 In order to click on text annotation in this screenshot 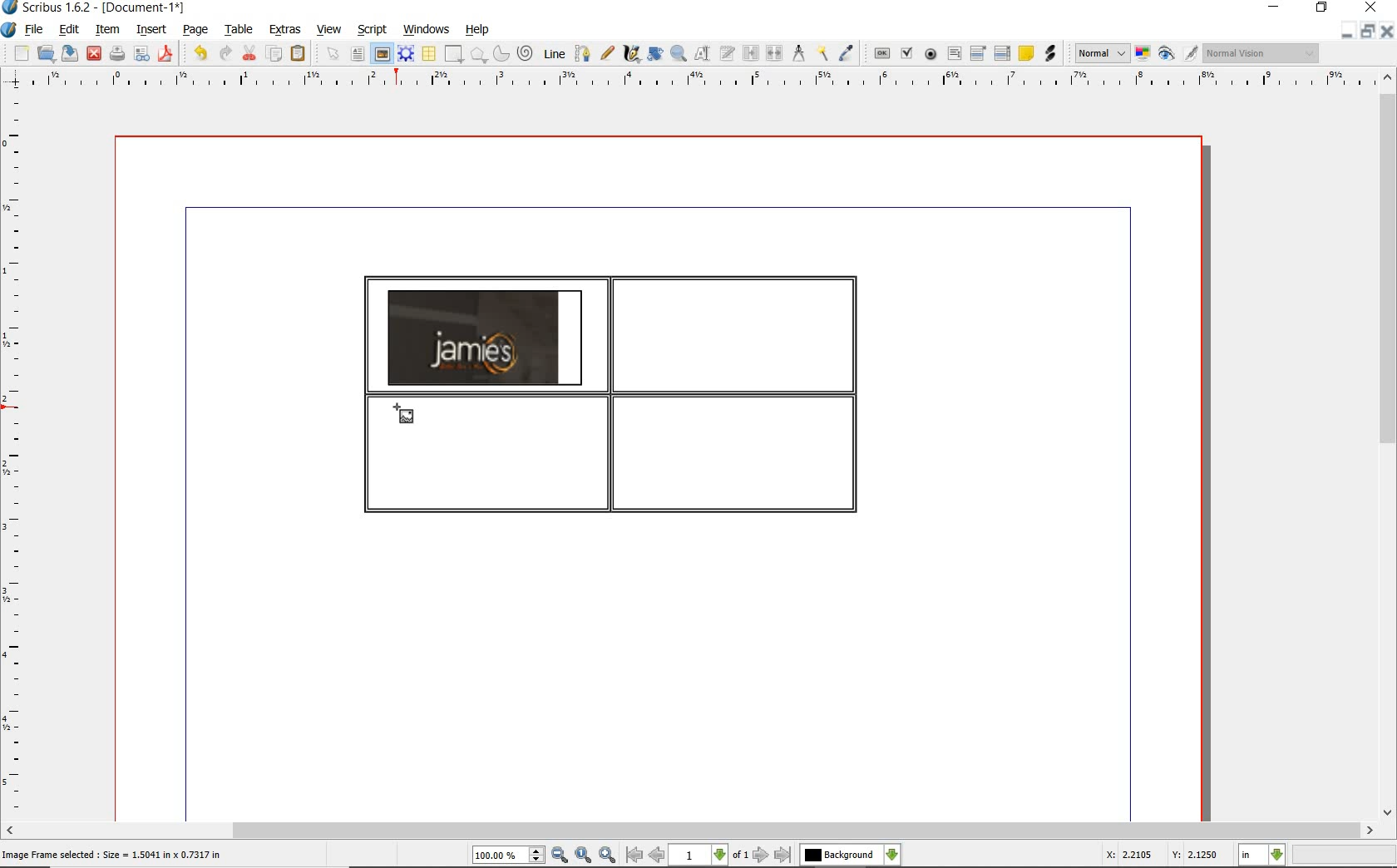, I will do `click(1027, 54)`.